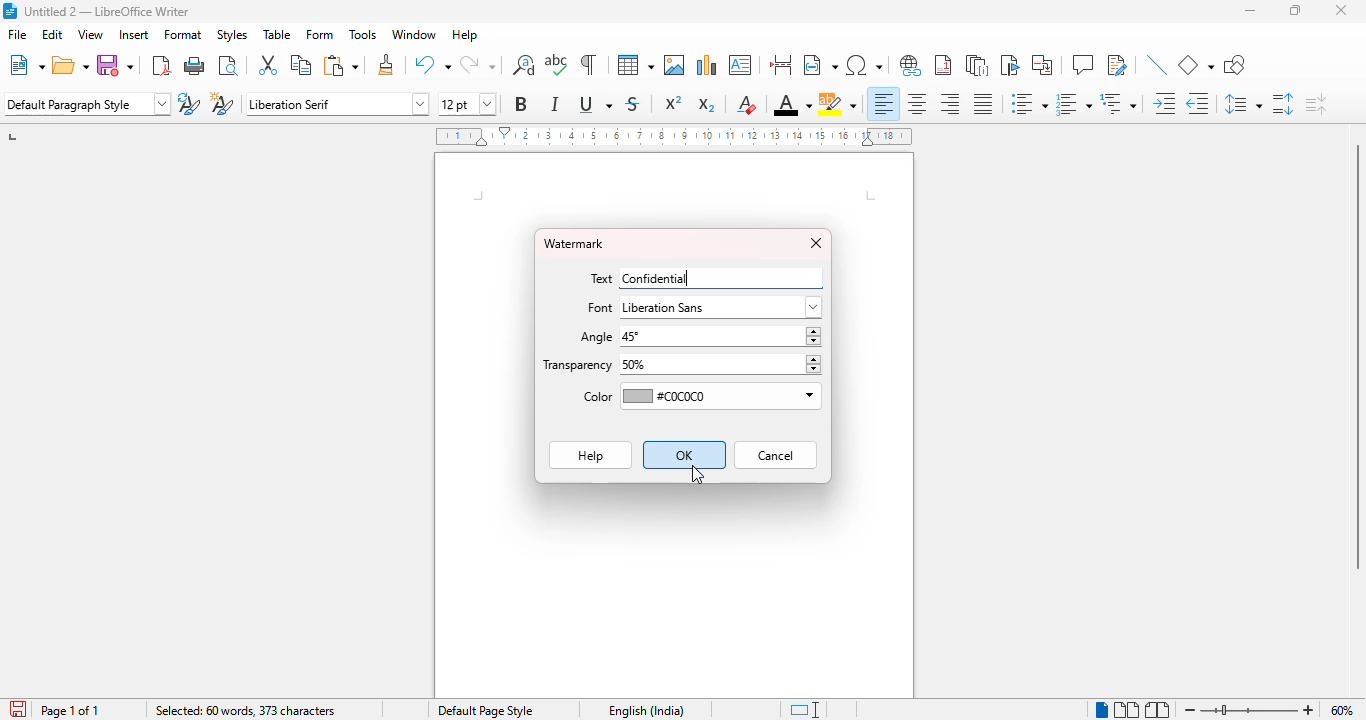 This screenshot has width=1366, height=720. I want to click on save, so click(114, 65).